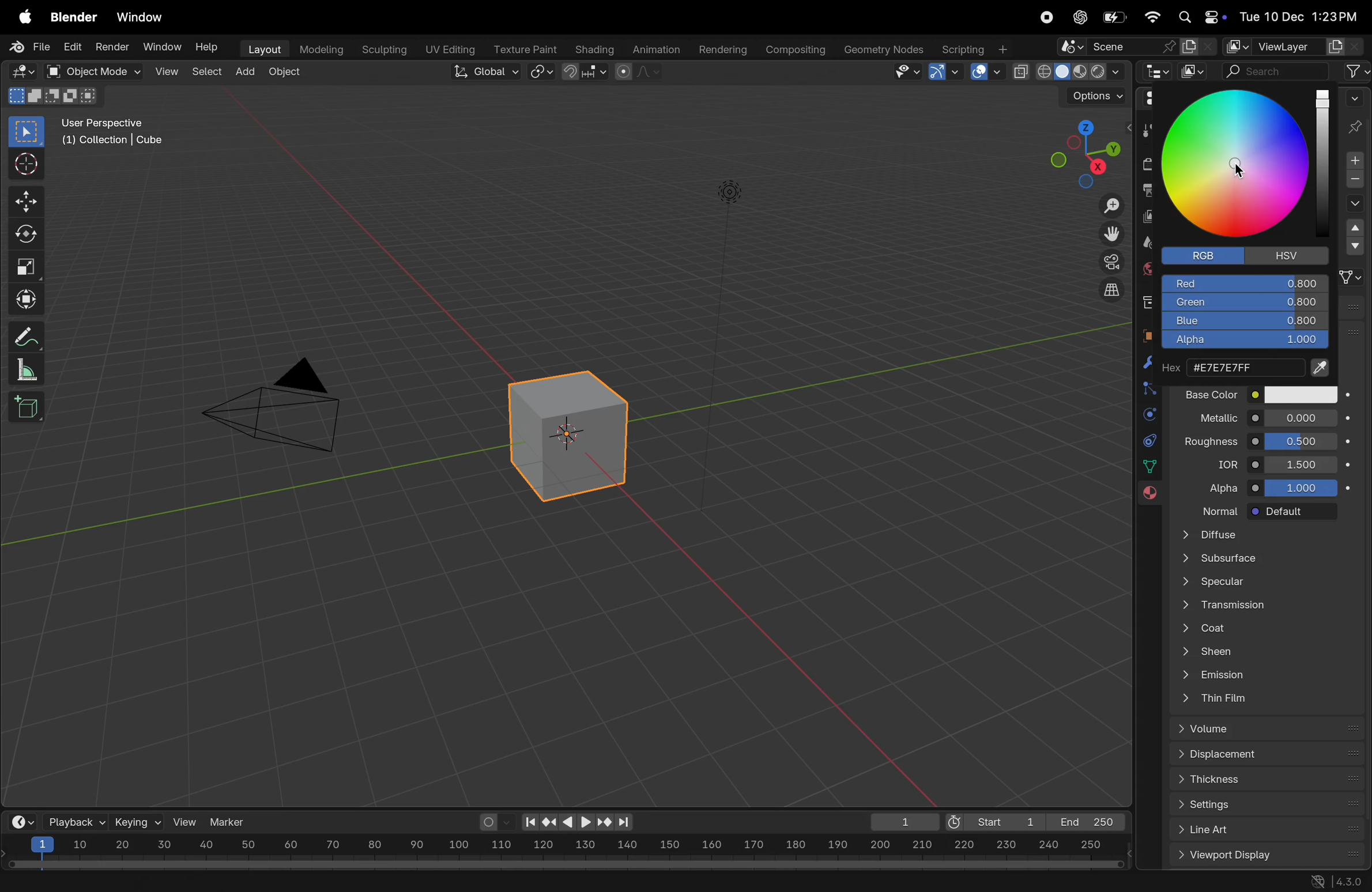 The width and height of the screenshot is (1372, 892). Describe the element at coordinates (730, 190) in the screenshot. I see `light` at that location.